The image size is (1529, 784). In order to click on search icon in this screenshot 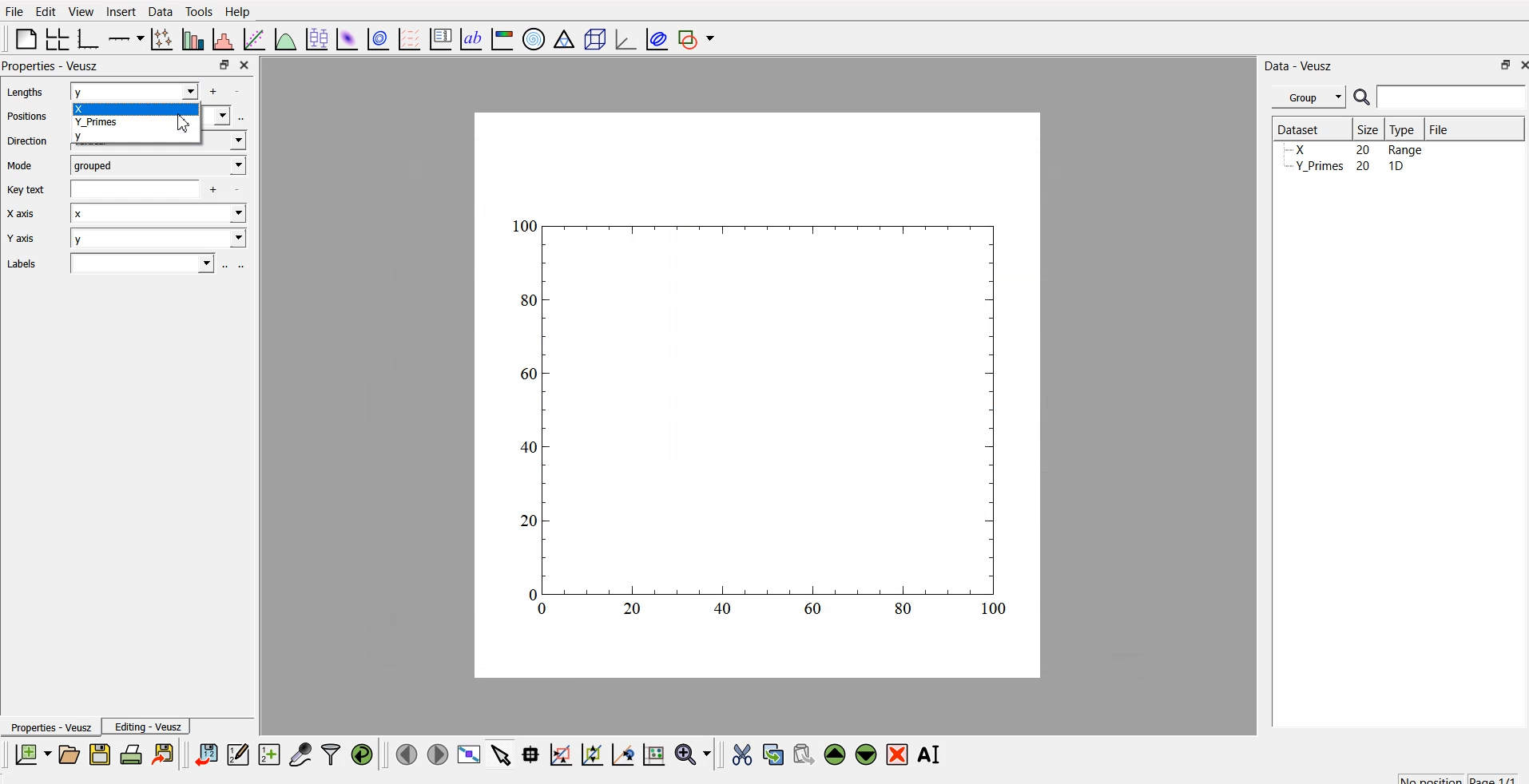, I will do `click(1364, 99)`.